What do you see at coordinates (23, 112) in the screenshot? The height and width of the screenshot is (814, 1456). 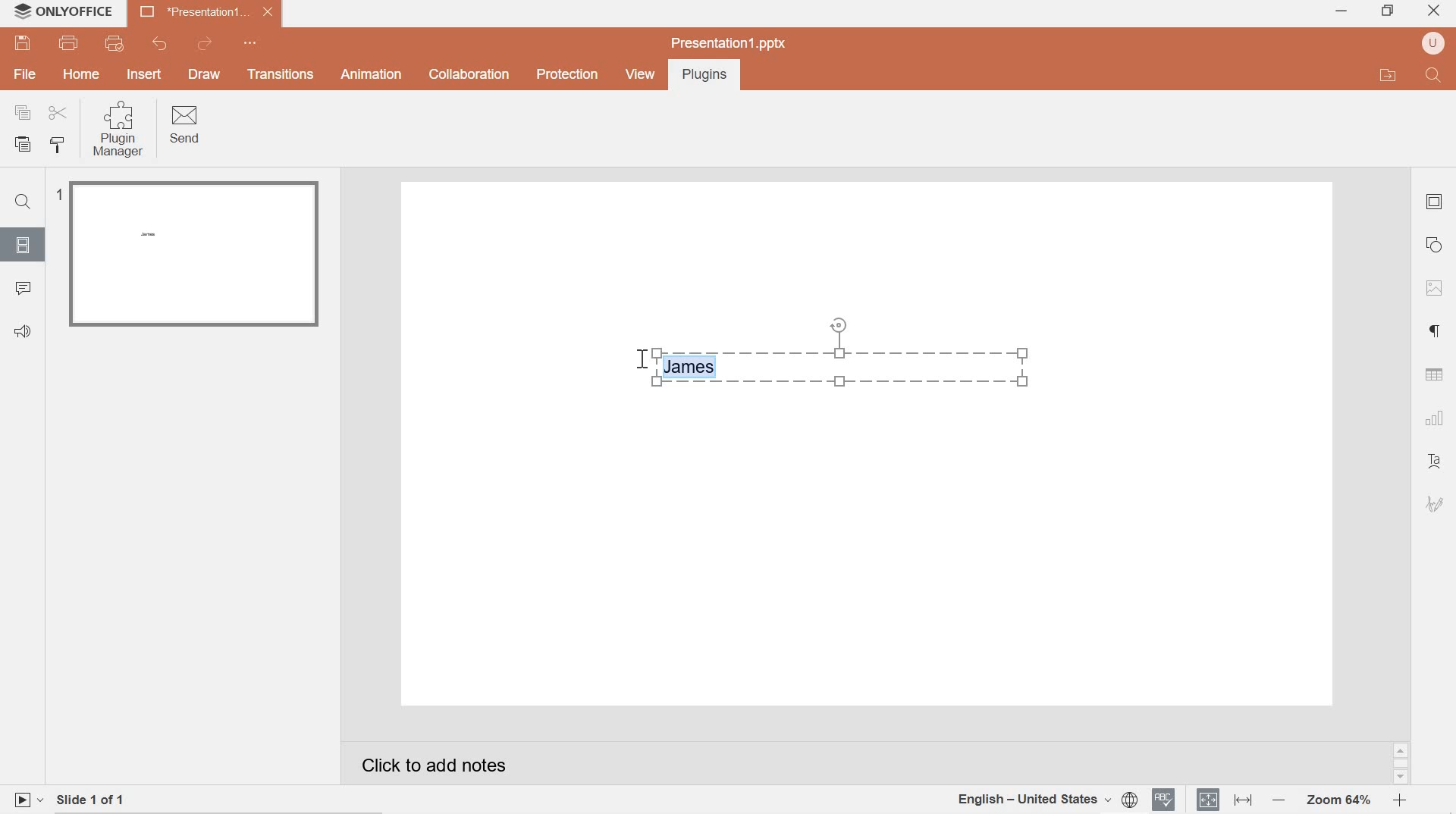 I see `copy` at bounding box center [23, 112].